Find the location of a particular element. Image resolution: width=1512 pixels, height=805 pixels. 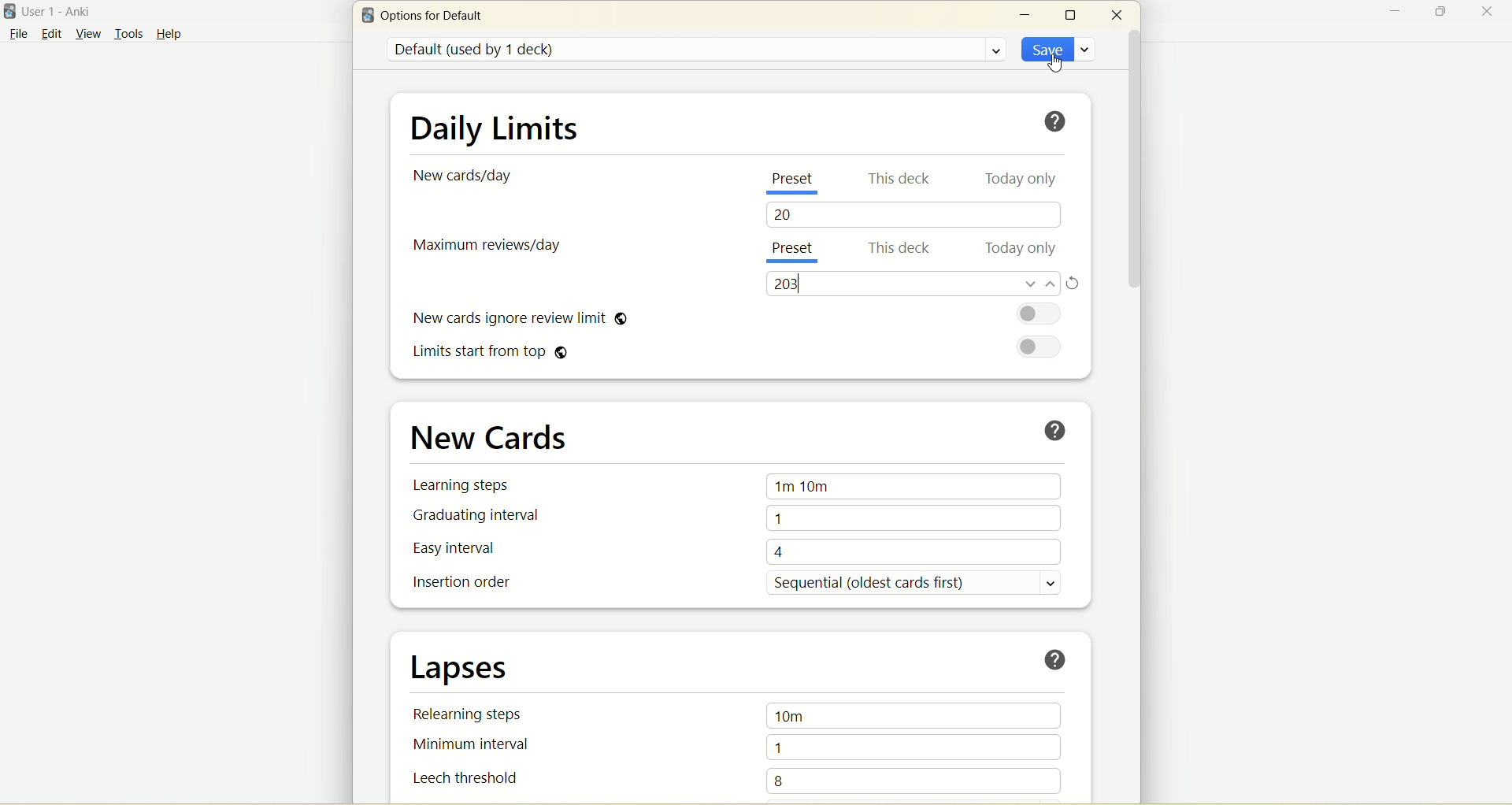

maximum reviews/day is located at coordinates (484, 248).